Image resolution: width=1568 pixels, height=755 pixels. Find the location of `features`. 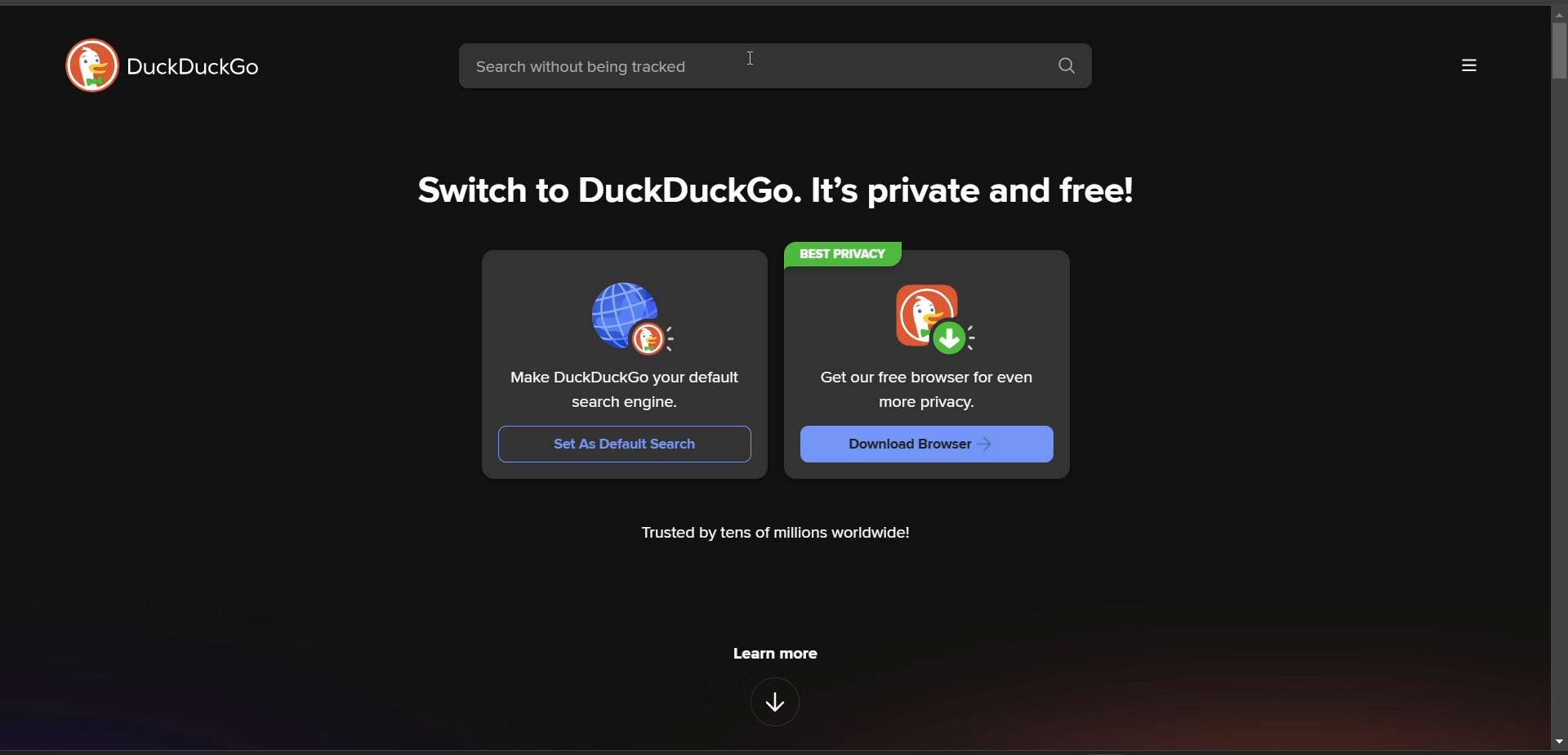

features is located at coordinates (777, 704).